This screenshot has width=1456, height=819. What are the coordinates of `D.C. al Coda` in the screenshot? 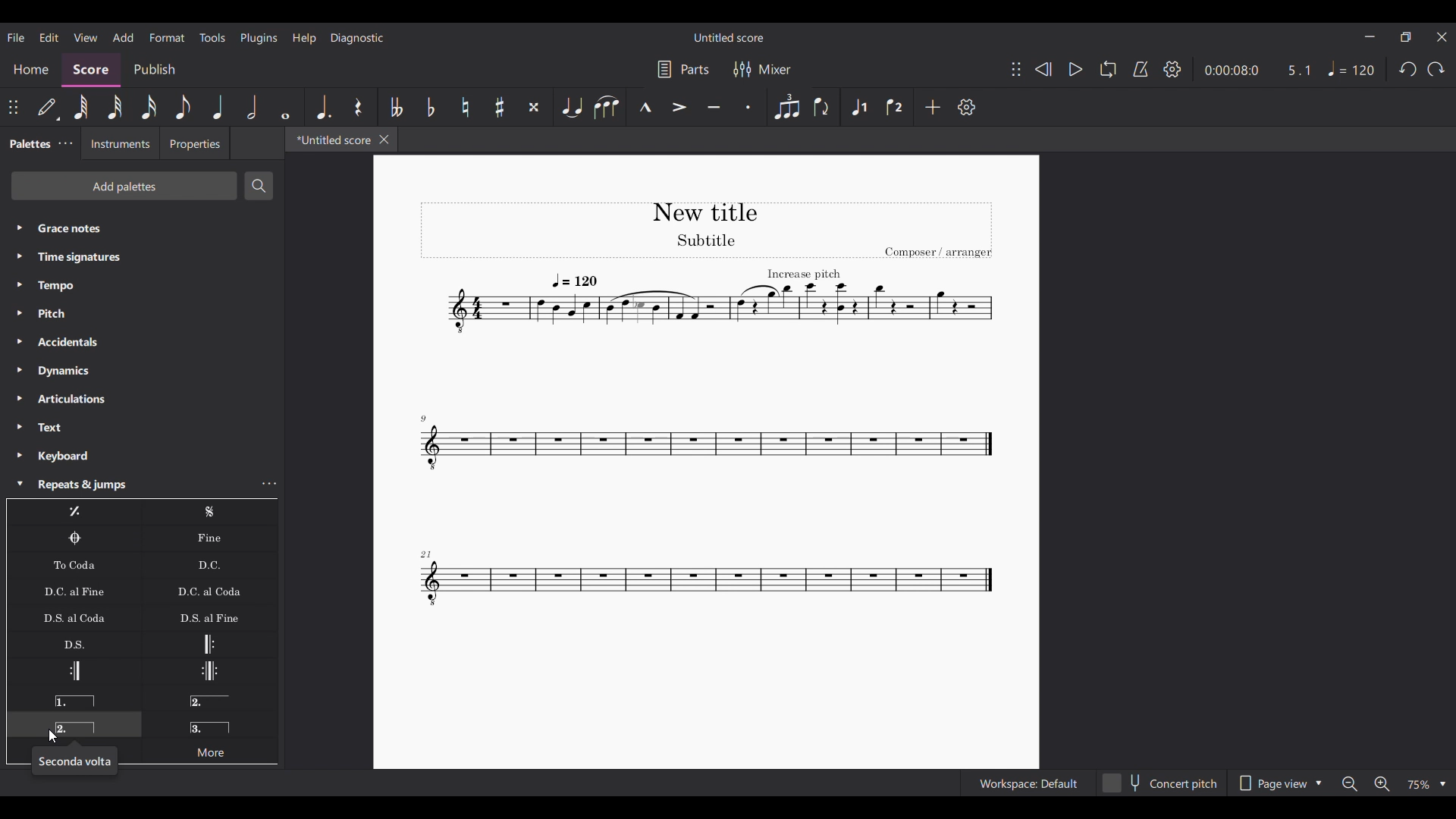 It's located at (210, 591).